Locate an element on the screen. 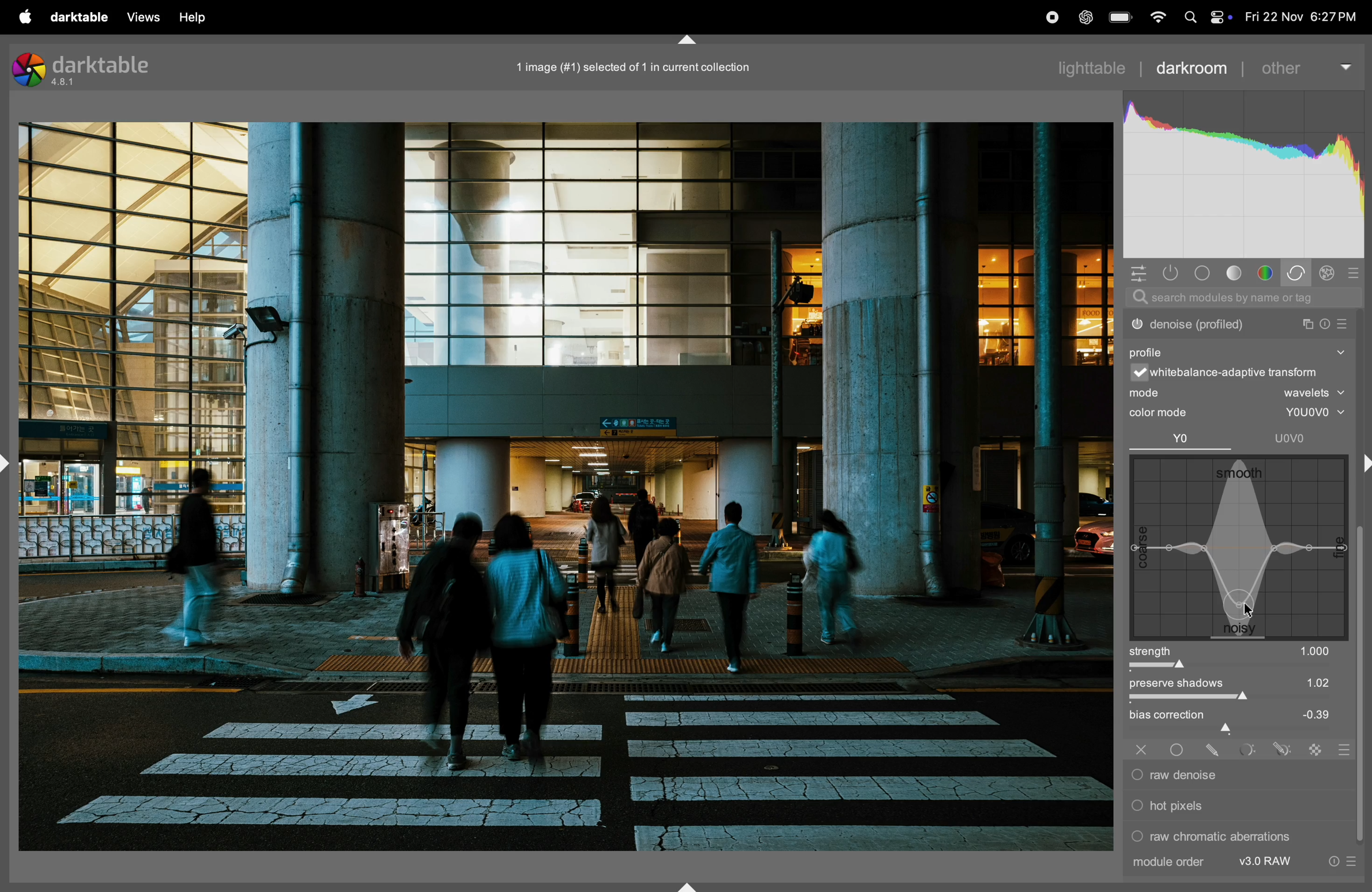 The width and height of the screenshot is (1372, 892). shift+ctrl+t is located at coordinates (687, 40).